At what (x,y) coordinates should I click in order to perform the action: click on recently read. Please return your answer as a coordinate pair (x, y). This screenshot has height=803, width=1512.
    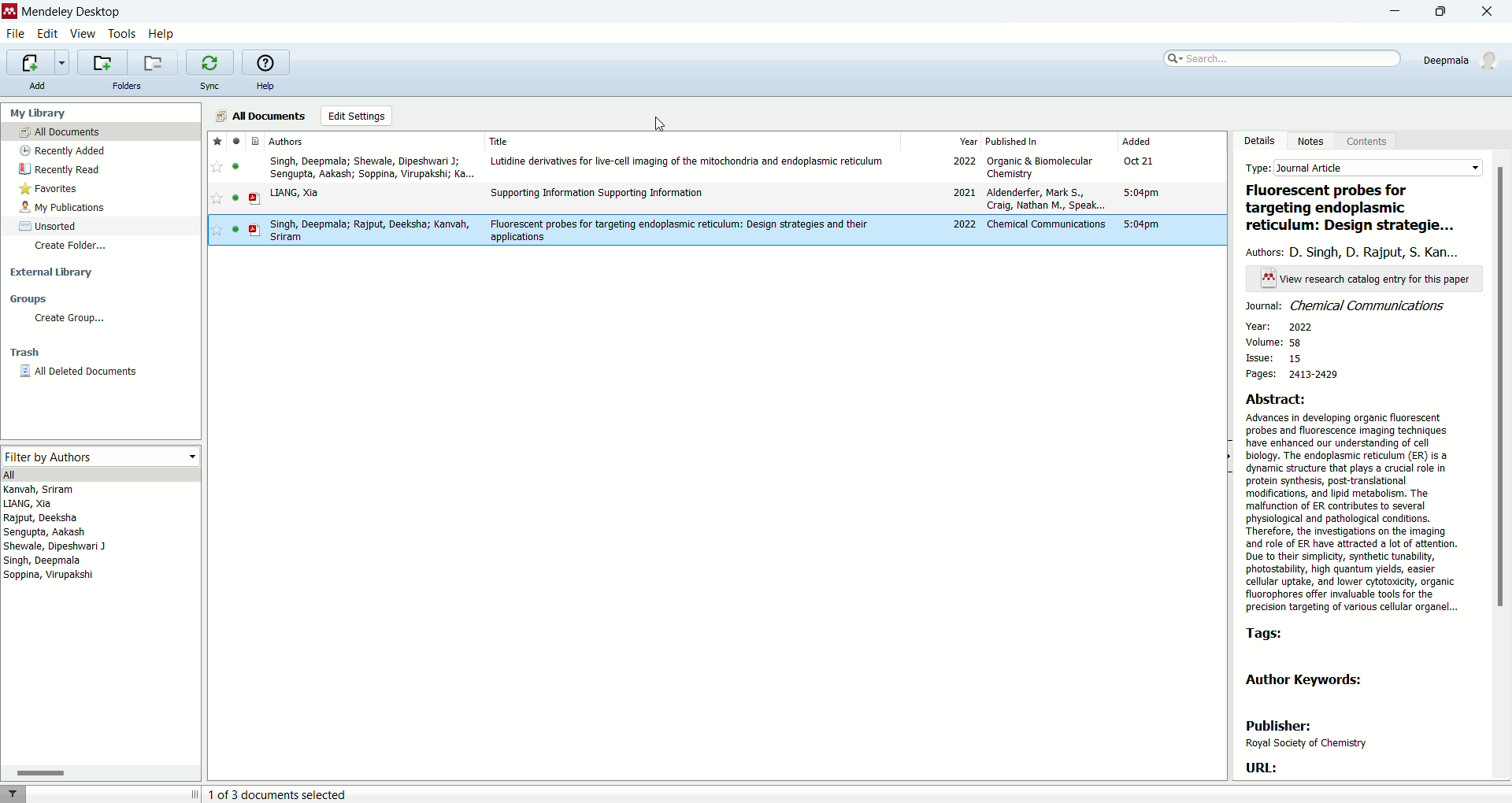
    Looking at the image, I should click on (59, 169).